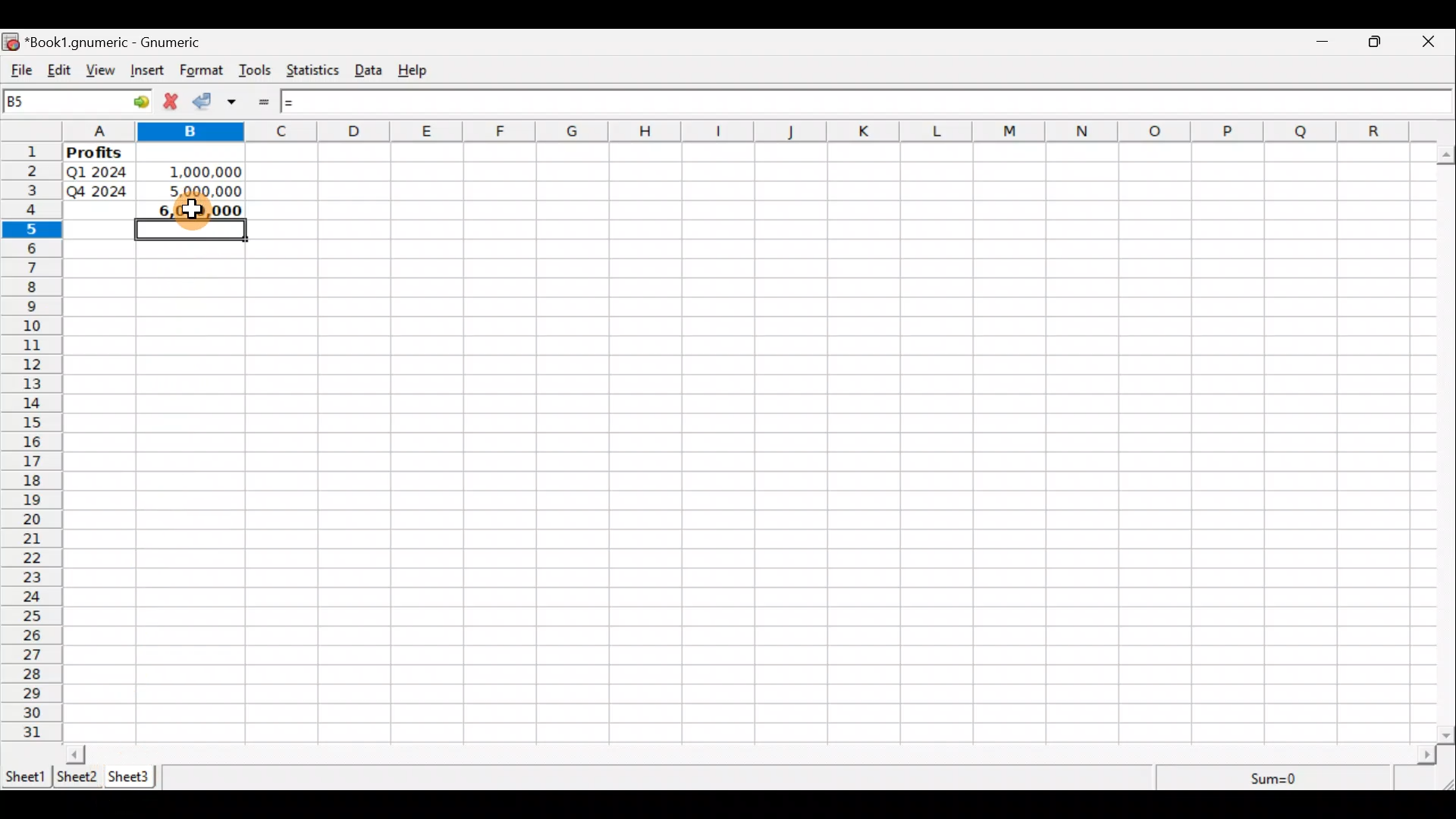  What do you see at coordinates (78, 101) in the screenshot?
I see `Cell name` at bounding box center [78, 101].